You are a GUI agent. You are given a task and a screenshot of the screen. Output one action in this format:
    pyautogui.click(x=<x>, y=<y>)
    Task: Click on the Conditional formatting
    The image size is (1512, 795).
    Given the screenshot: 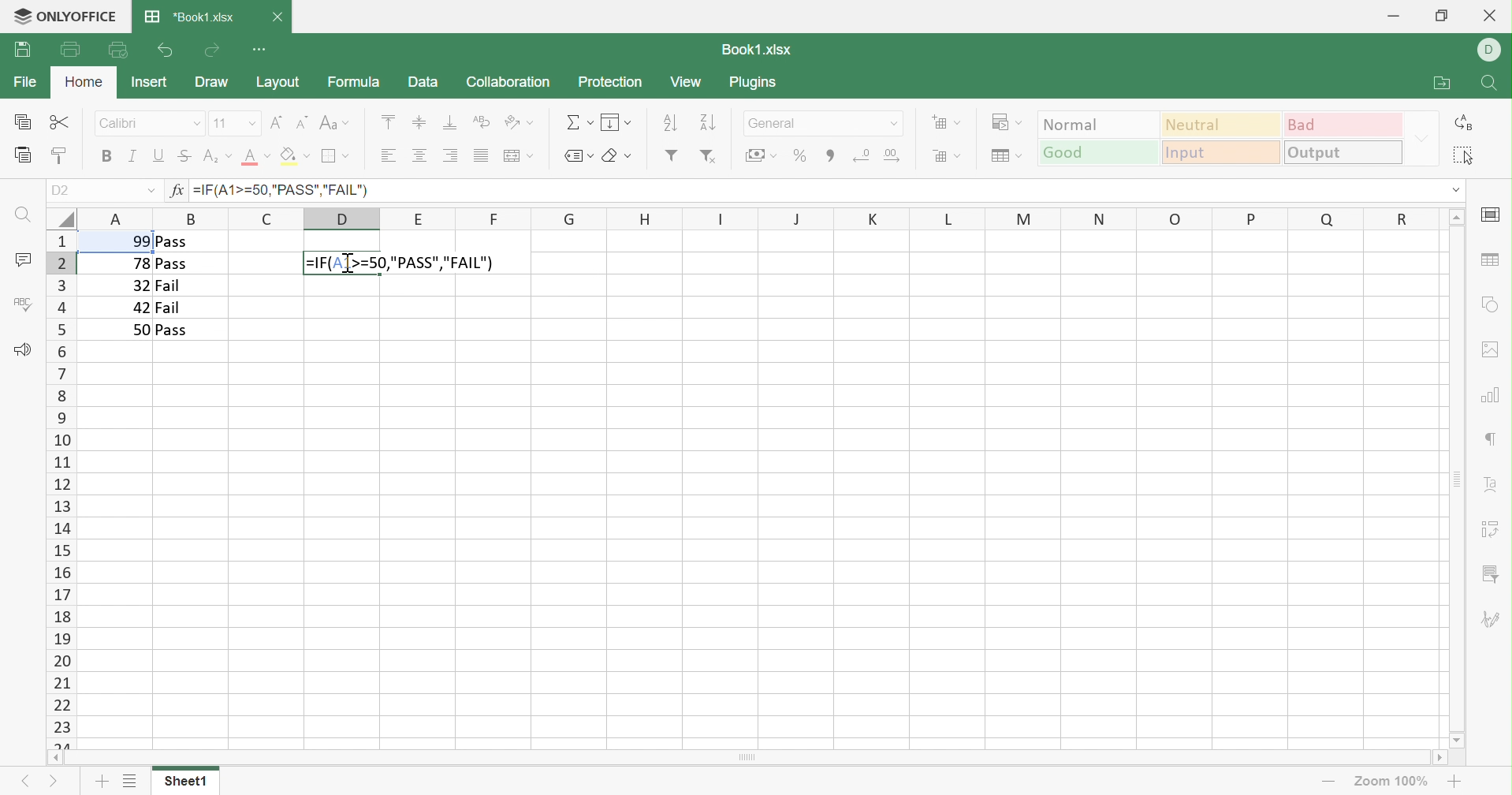 What is the action you would take?
    pyautogui.click(x=1009, y=122)
    